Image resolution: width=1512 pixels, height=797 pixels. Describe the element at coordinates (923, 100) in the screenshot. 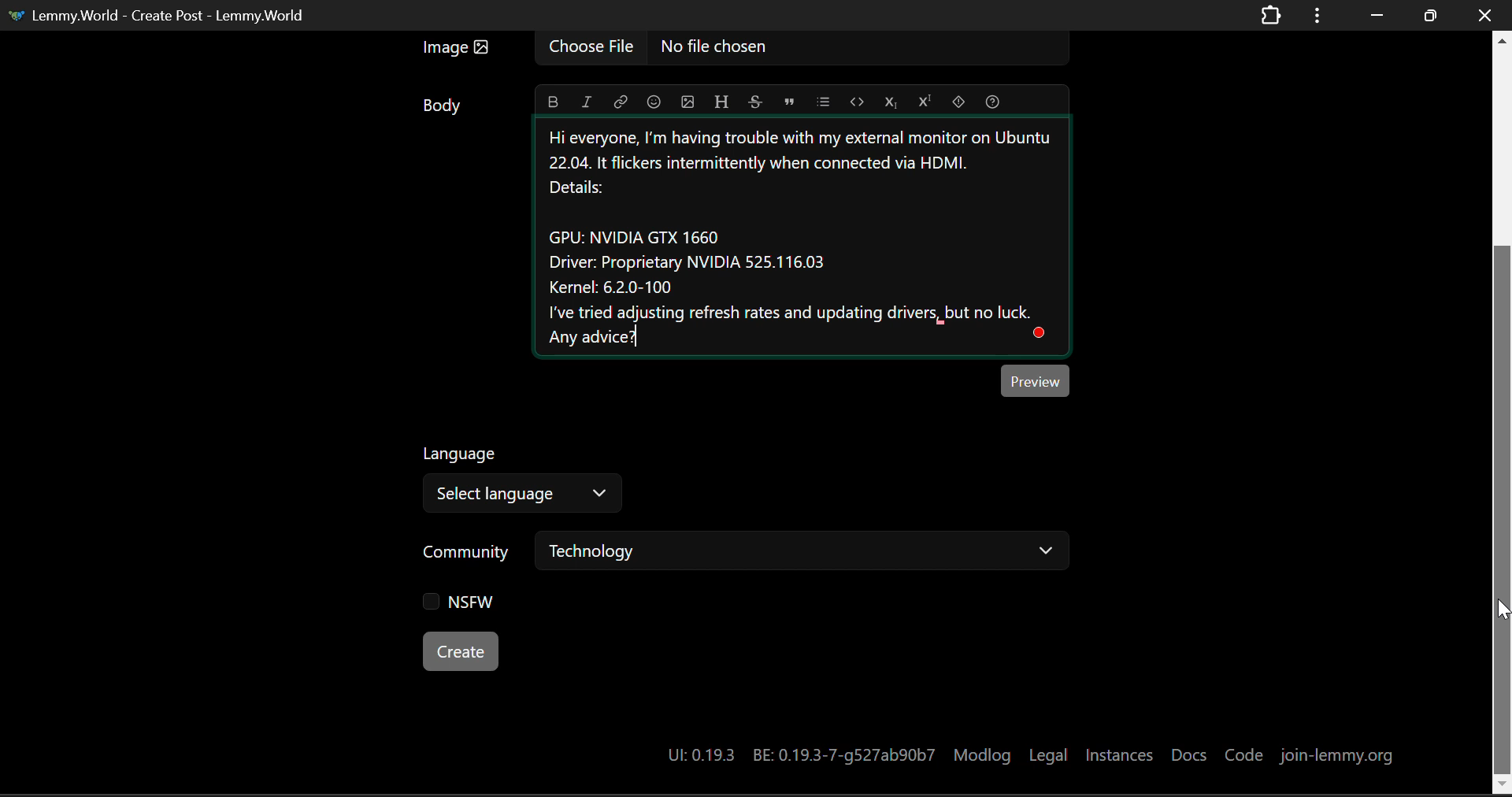

I see `Superscript` at that location.